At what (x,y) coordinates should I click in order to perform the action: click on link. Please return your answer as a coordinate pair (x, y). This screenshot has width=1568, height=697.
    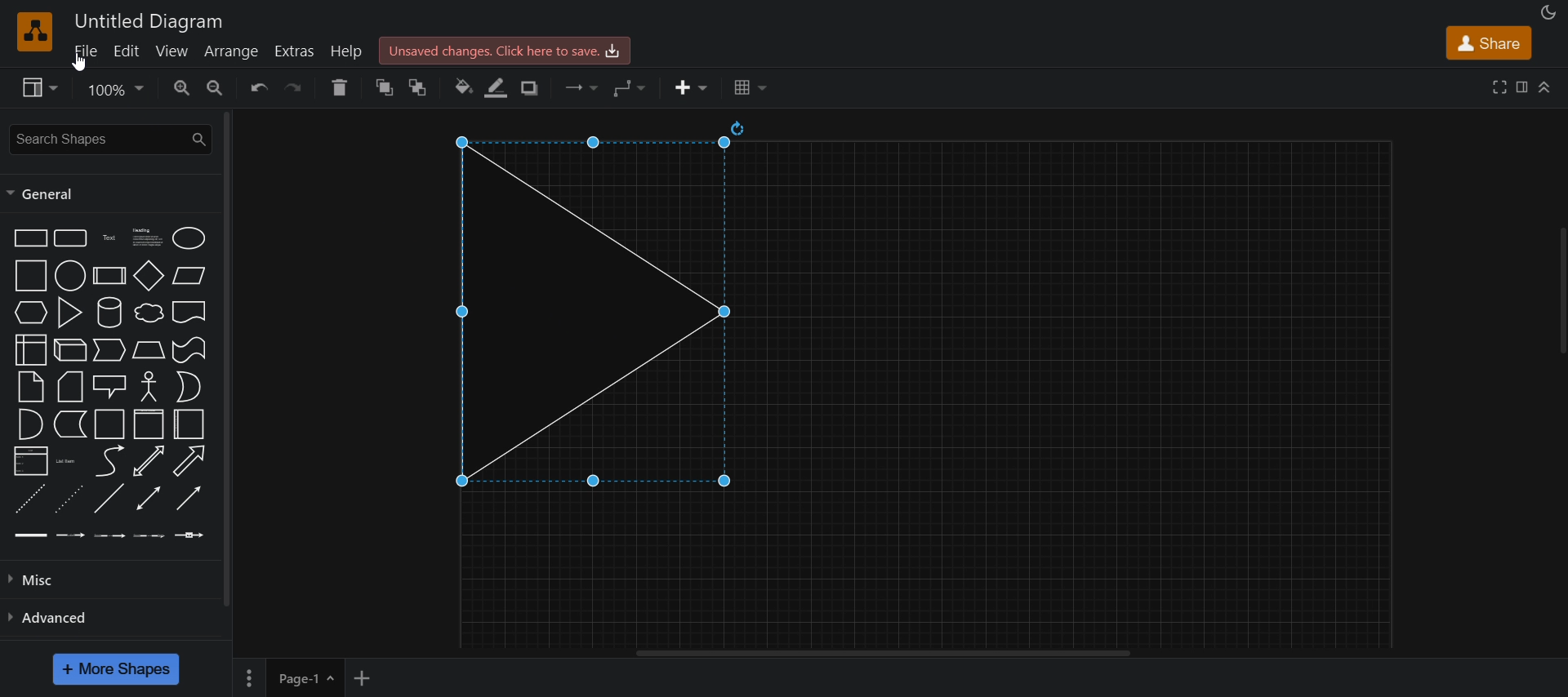
    Looking at the image, I should click on (29, 536).